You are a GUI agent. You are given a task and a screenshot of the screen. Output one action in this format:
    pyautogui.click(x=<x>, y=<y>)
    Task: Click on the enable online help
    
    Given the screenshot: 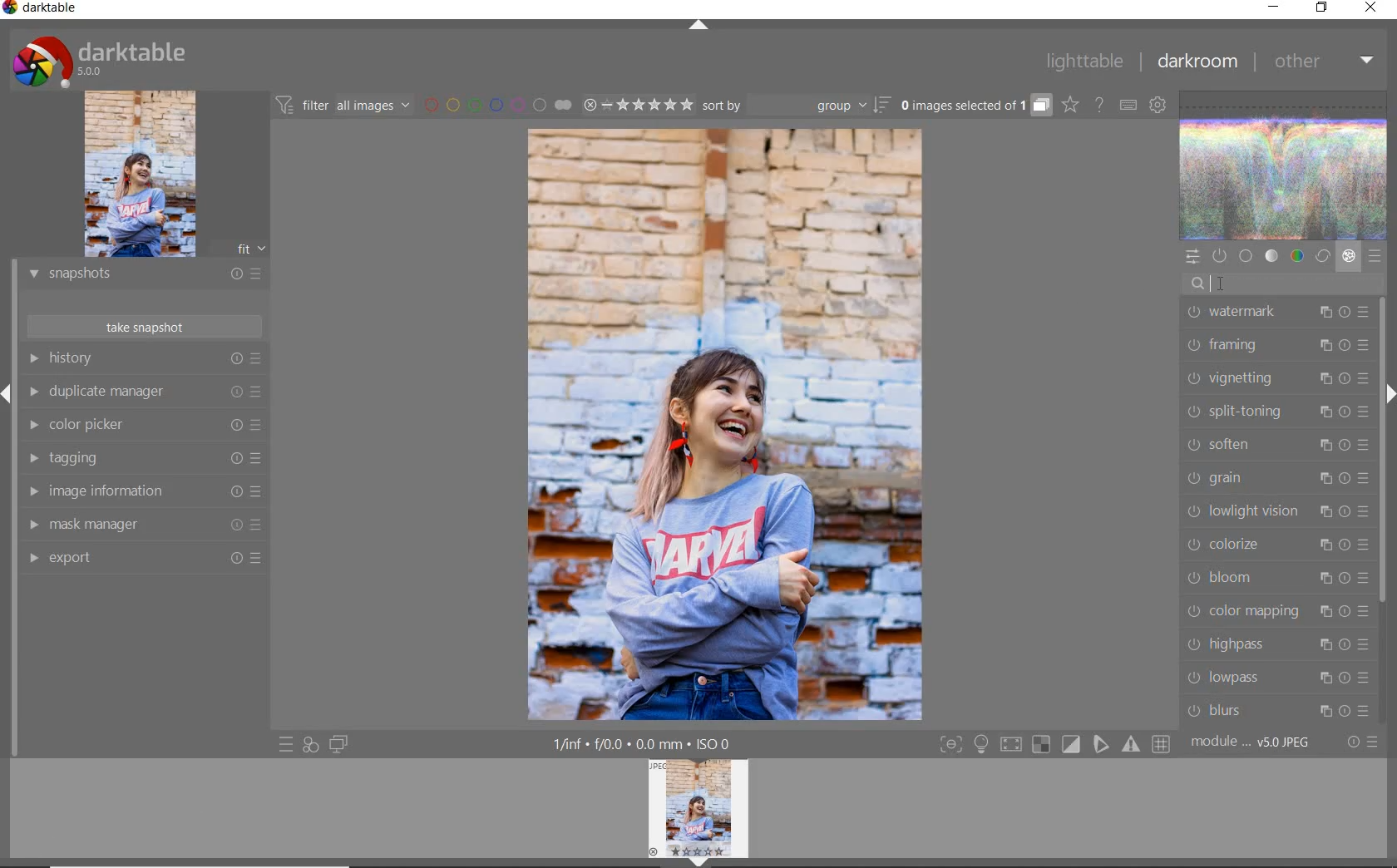 What is the action you would take?
    pyautogui.click(x=1100, y=104)
    